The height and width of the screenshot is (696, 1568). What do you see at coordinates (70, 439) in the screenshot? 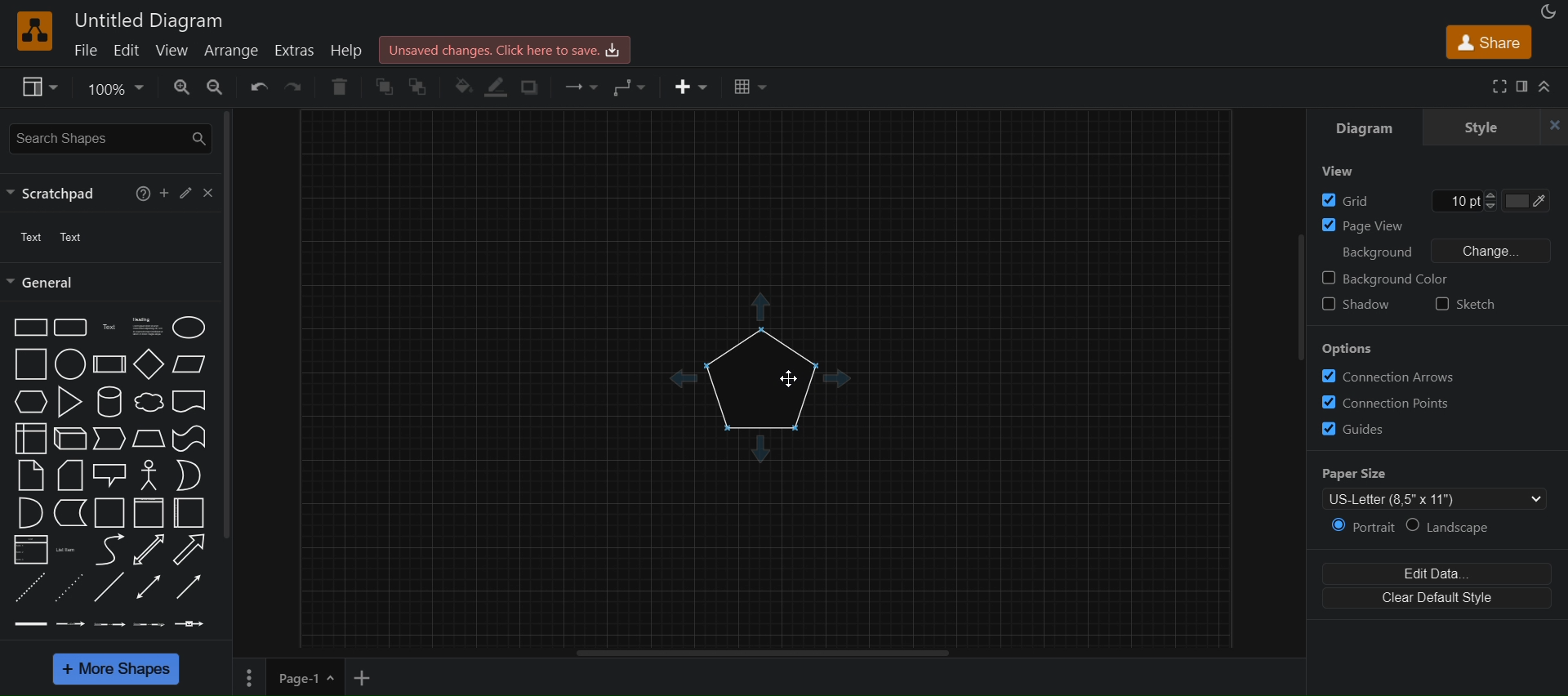
I see `Cube` at bounding box center [70, 439].